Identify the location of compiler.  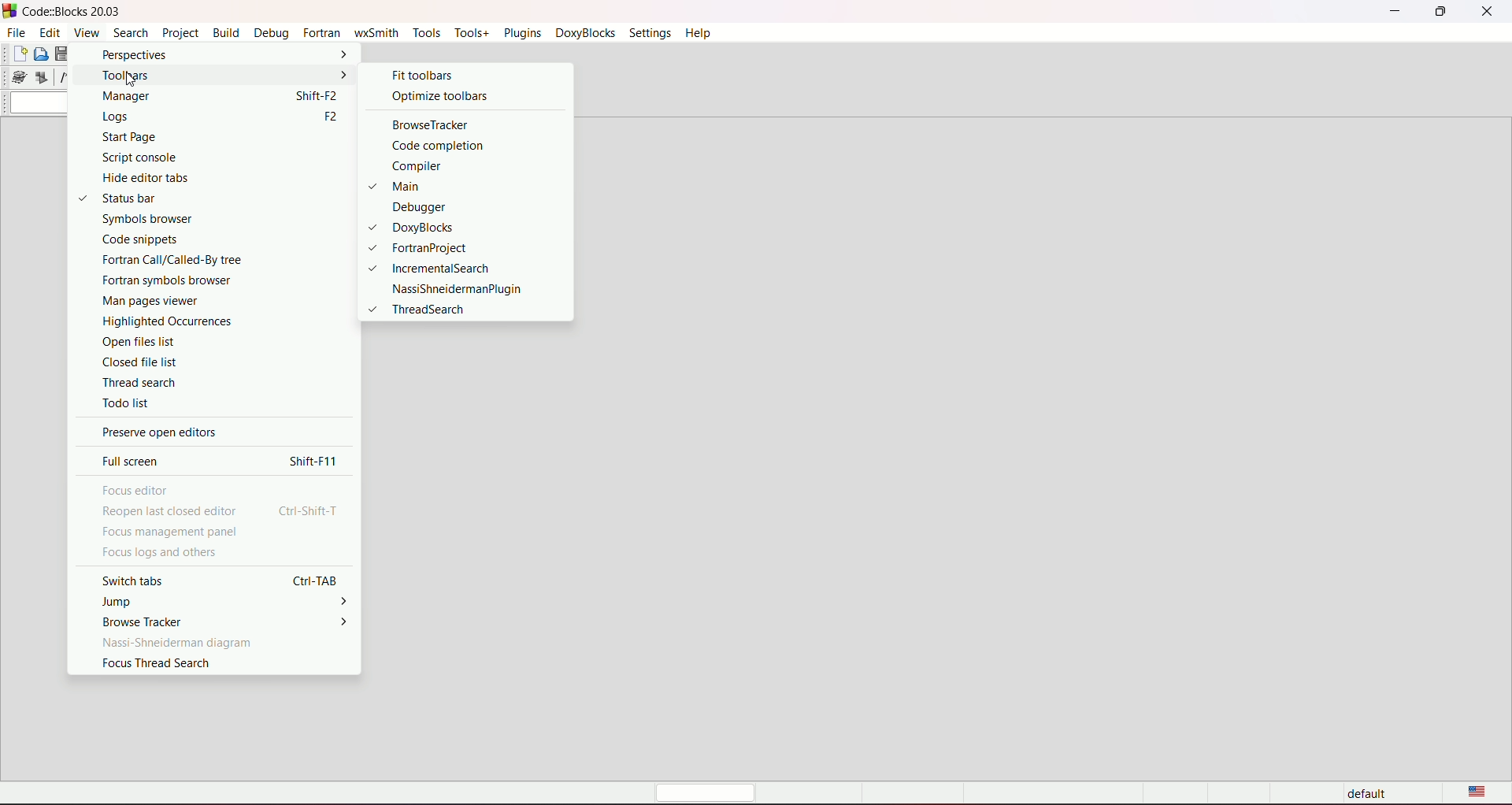
(435, 165).